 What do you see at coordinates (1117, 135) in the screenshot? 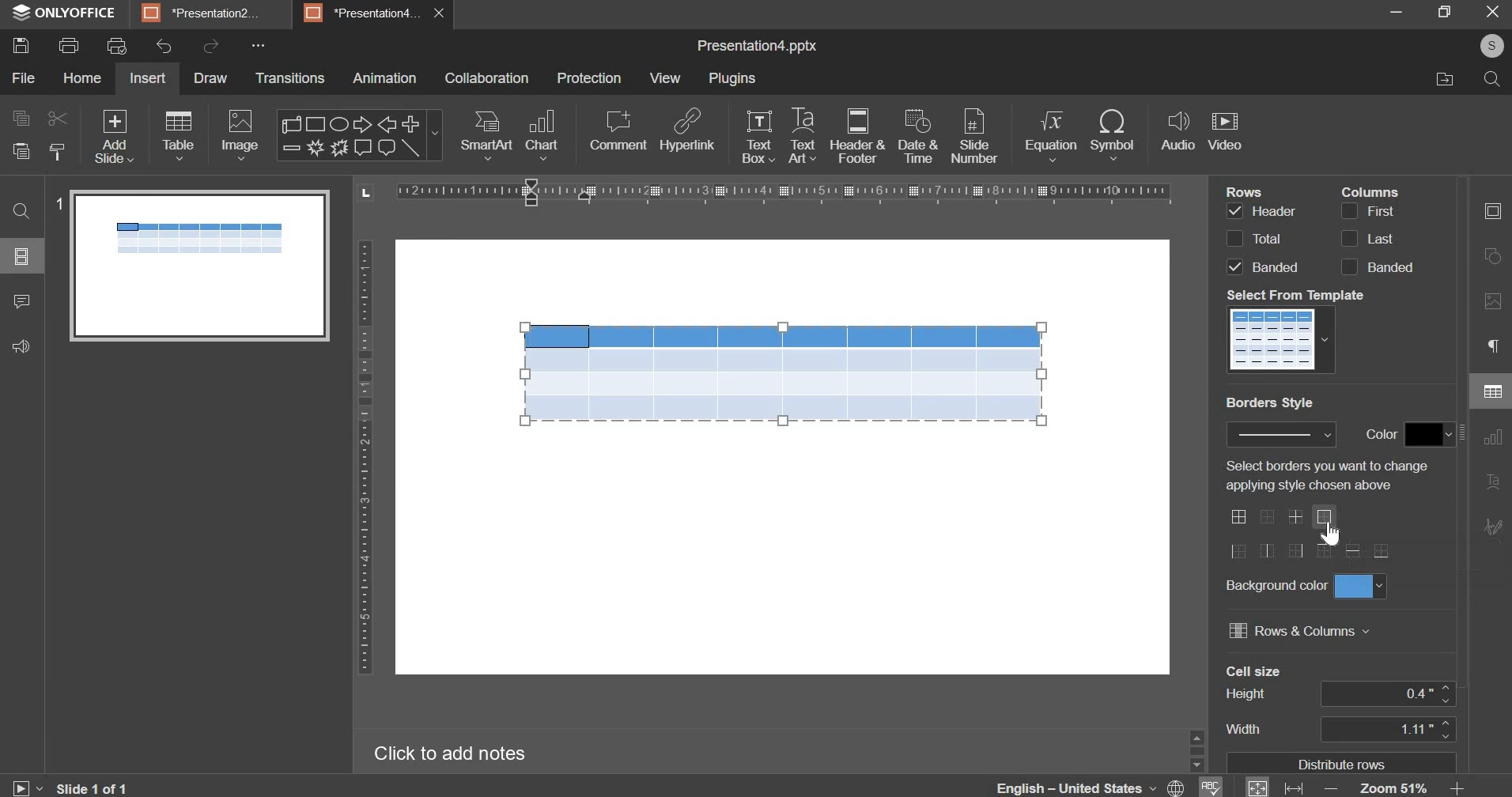
I see `symbol` at bounding box center [1117, 135].